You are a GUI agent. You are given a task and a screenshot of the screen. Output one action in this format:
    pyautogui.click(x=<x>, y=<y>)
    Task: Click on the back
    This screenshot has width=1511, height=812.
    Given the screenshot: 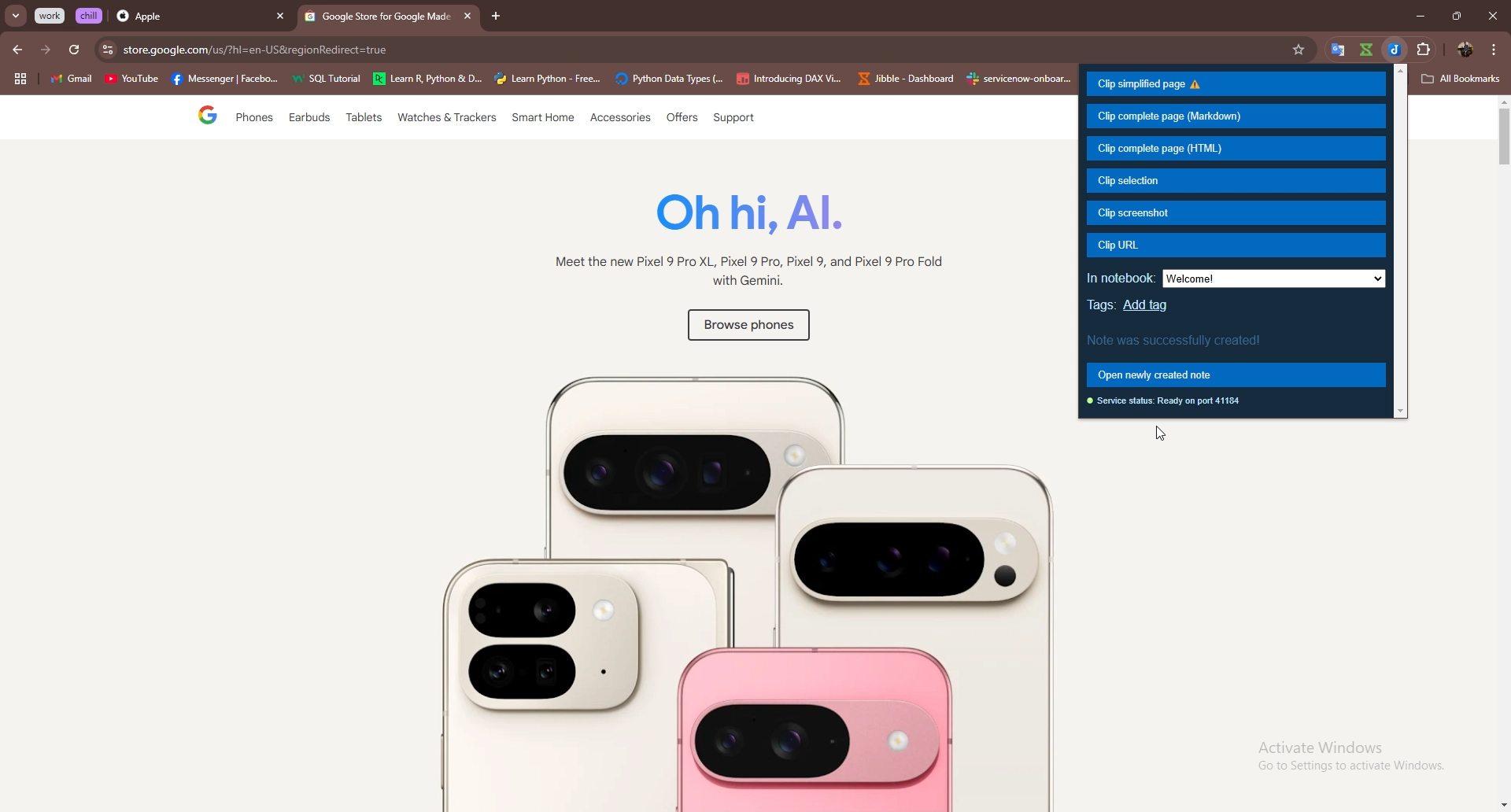 What is the action you would take?
    pyautogui.click(x=19, y=50)
    